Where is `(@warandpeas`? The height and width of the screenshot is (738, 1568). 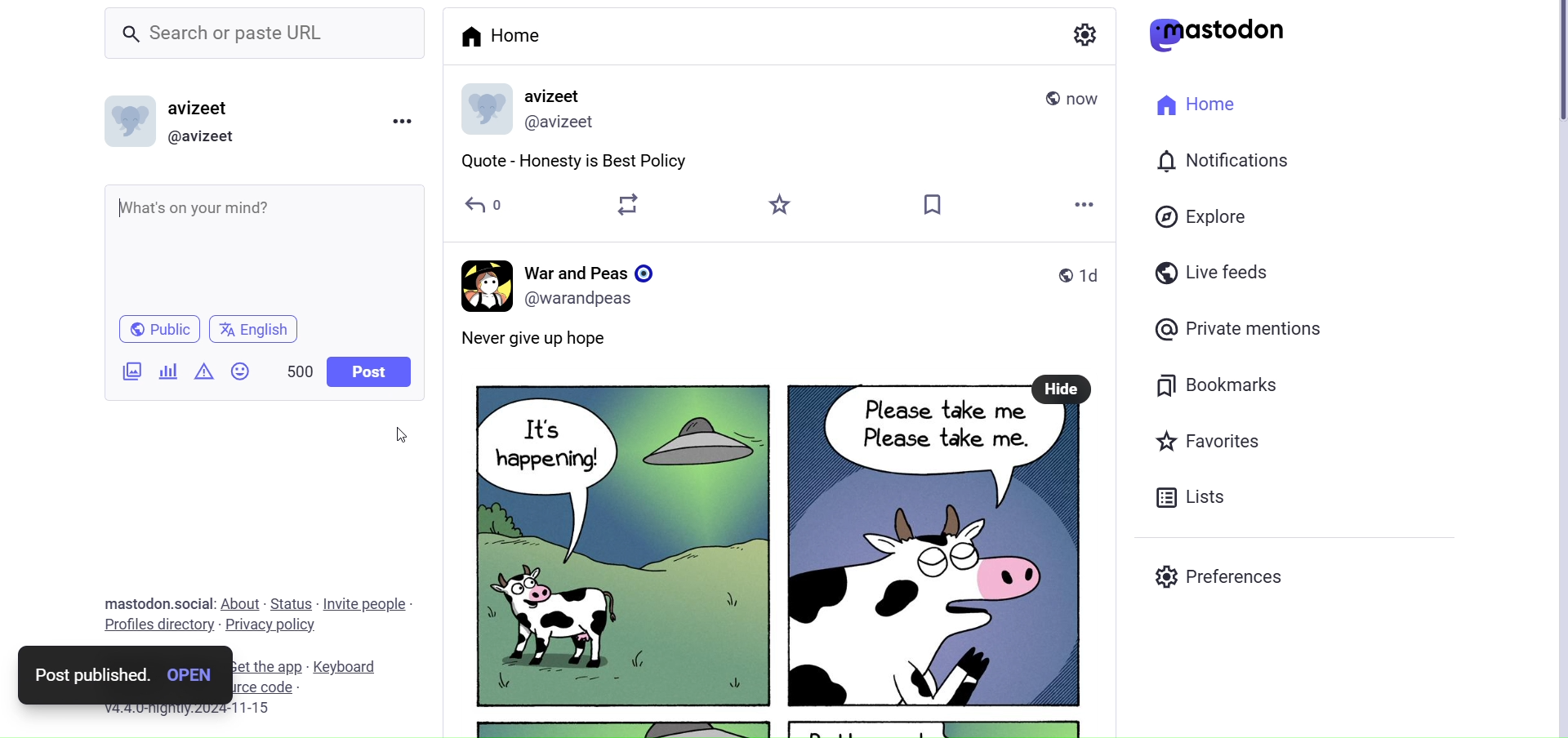 (@warandpeas is located at coordinates (585, 300).